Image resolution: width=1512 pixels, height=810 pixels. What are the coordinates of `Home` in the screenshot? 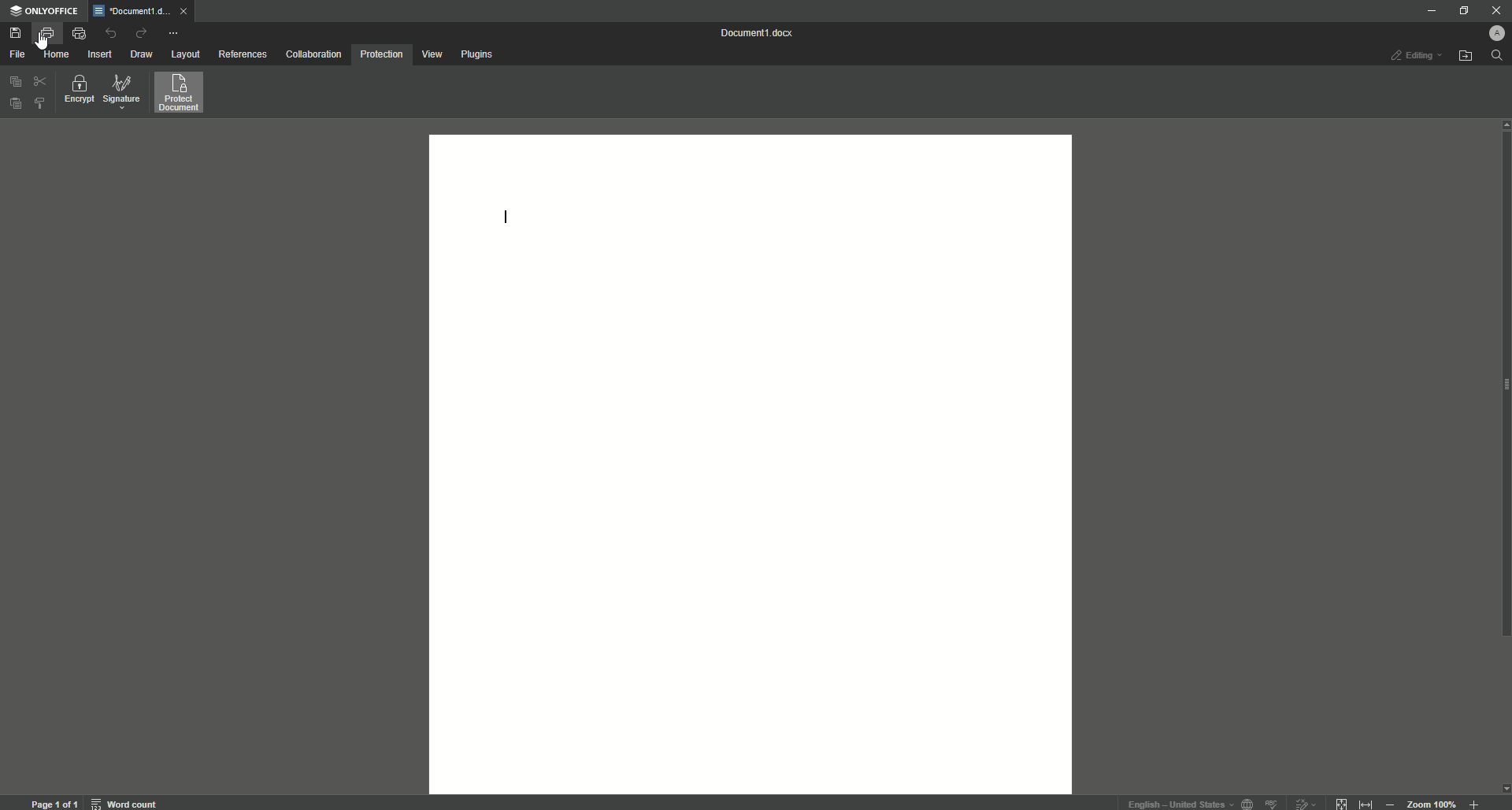 It's located at (56, 54).